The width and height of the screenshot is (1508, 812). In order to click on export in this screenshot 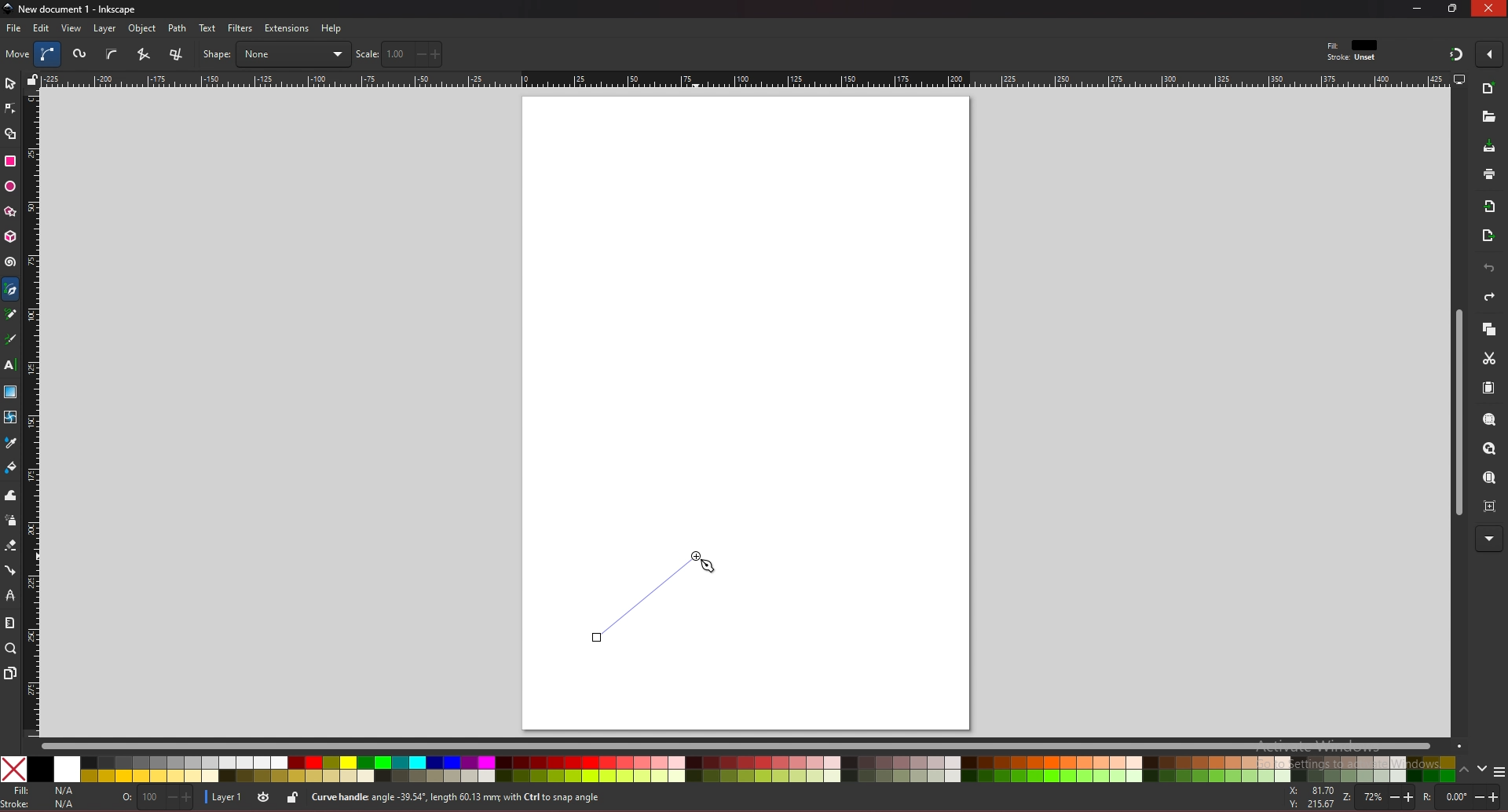, I will do `click(1488, 236)`.